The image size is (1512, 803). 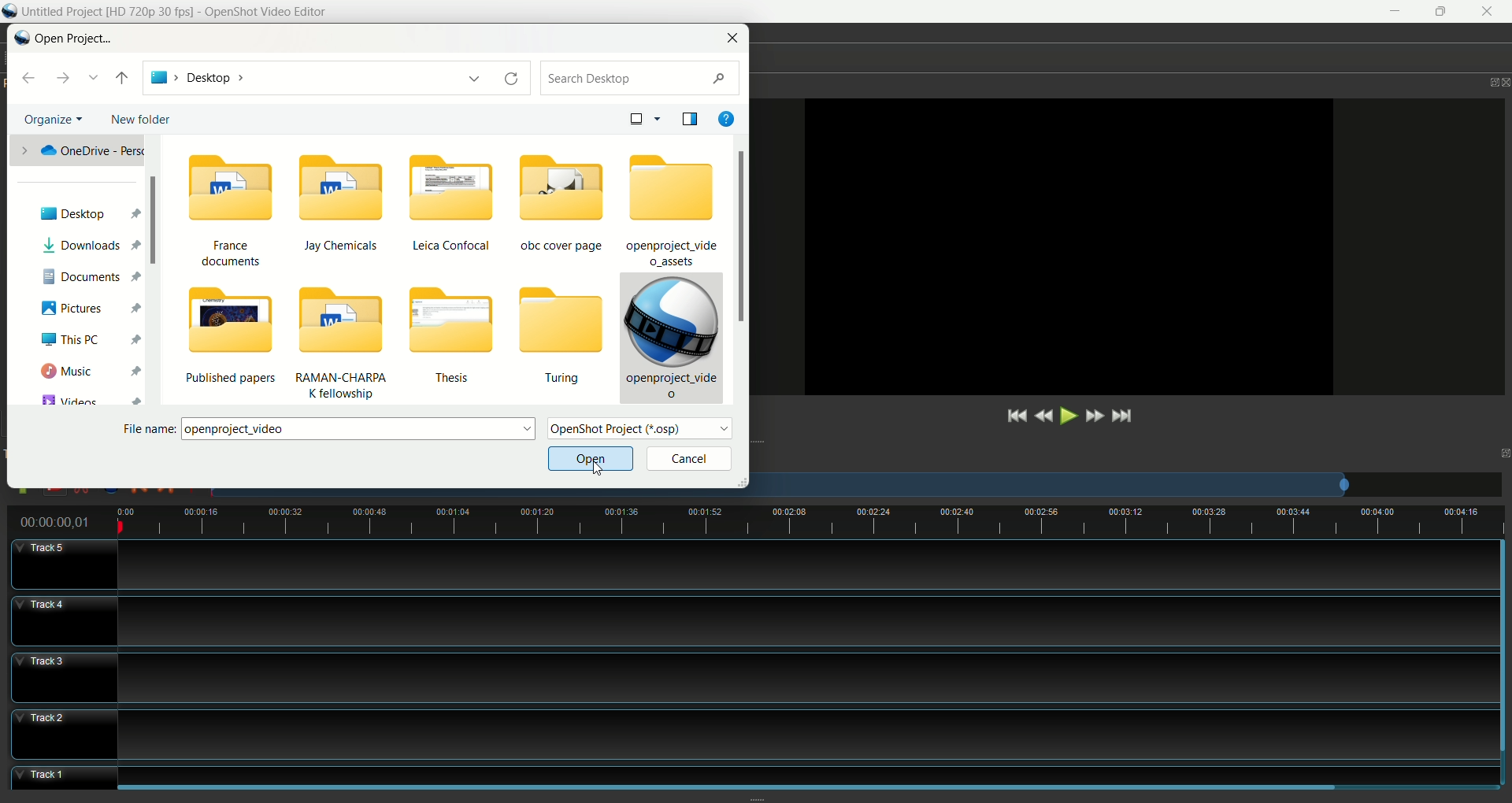 I want to click on France
documents, so click(x=224, y=215).